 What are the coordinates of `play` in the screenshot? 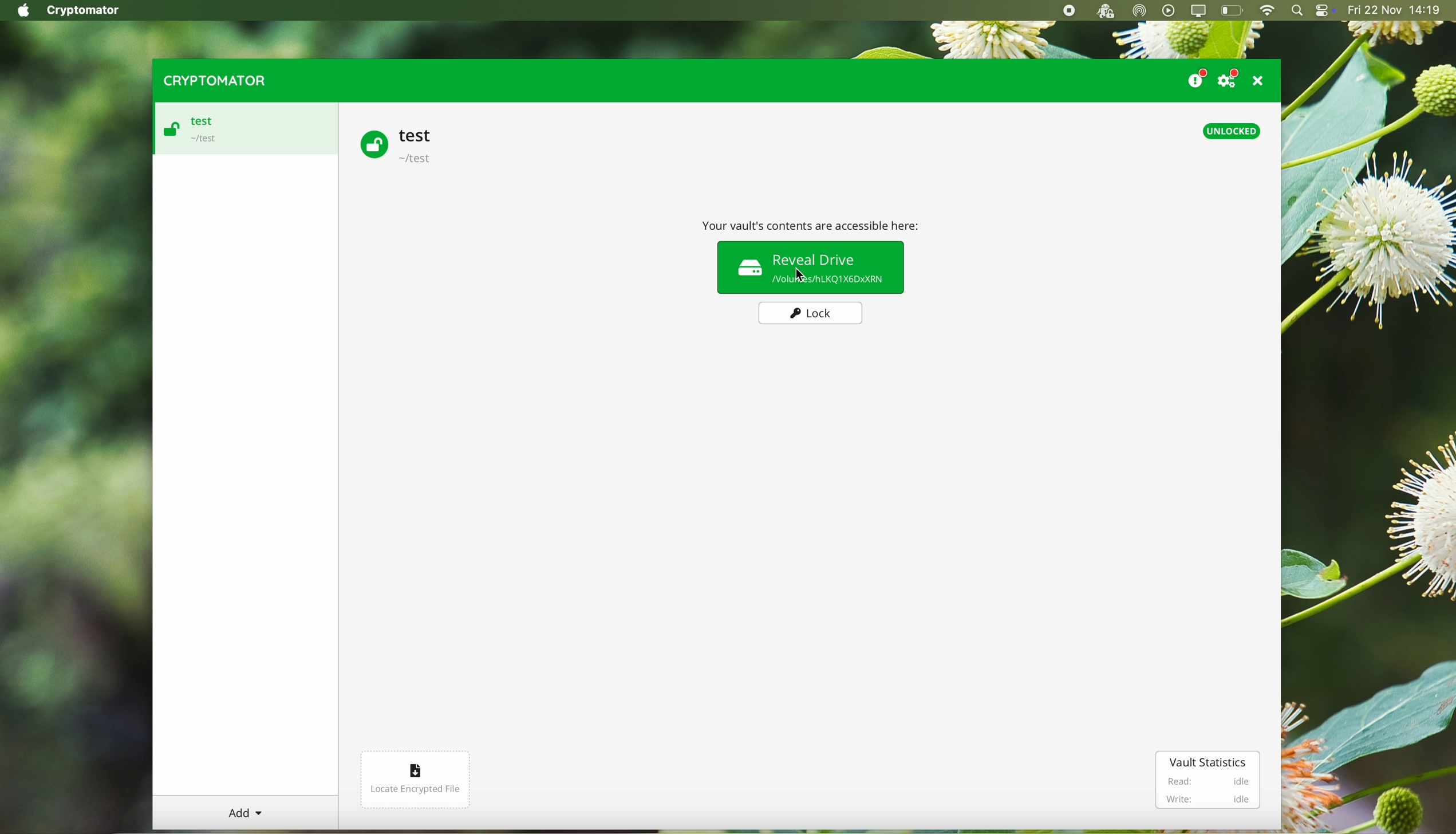 It's located at (1169, 10).